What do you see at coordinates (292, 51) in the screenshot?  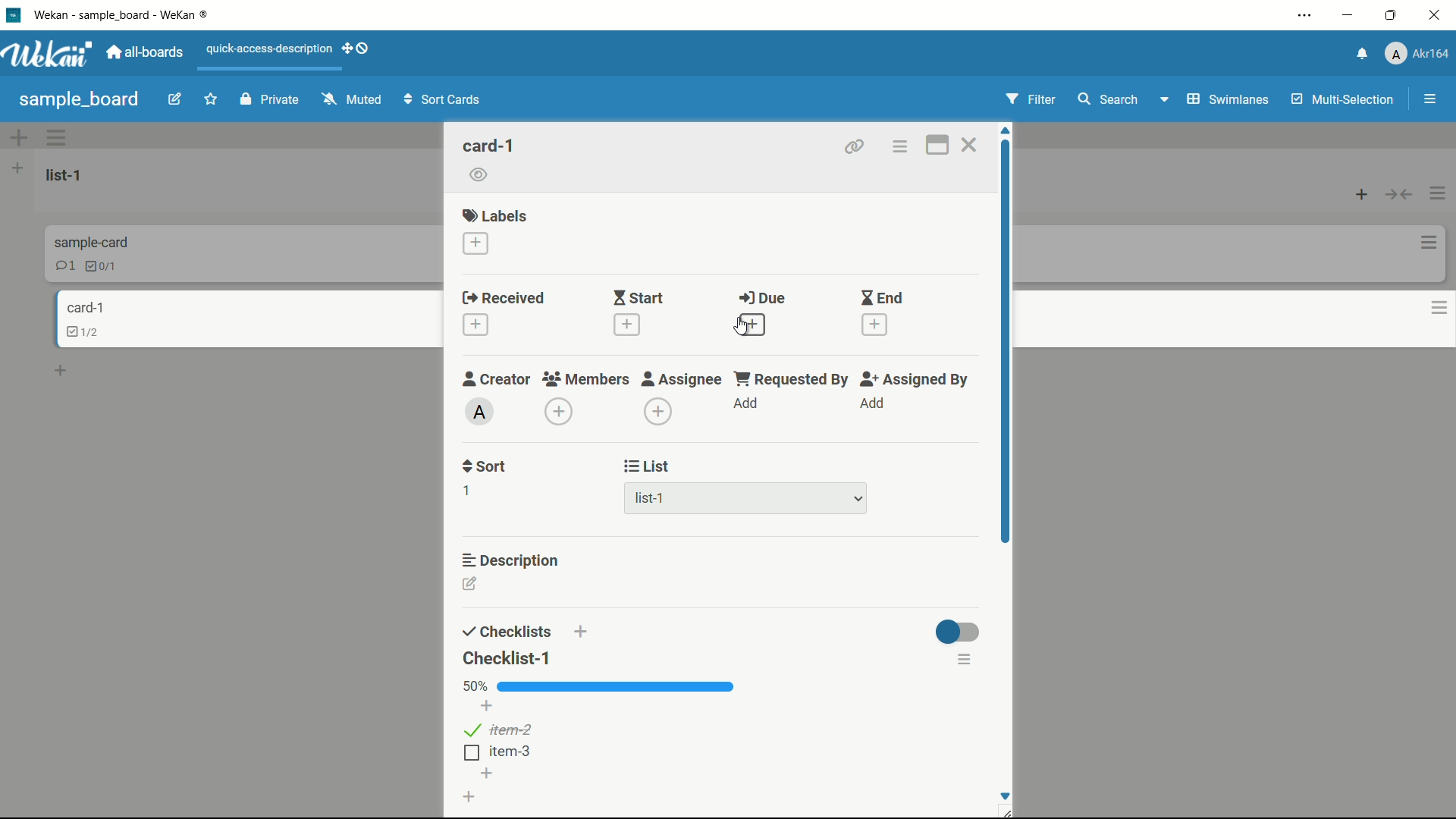 I see `quick access description` at bounding box center [292, 51].